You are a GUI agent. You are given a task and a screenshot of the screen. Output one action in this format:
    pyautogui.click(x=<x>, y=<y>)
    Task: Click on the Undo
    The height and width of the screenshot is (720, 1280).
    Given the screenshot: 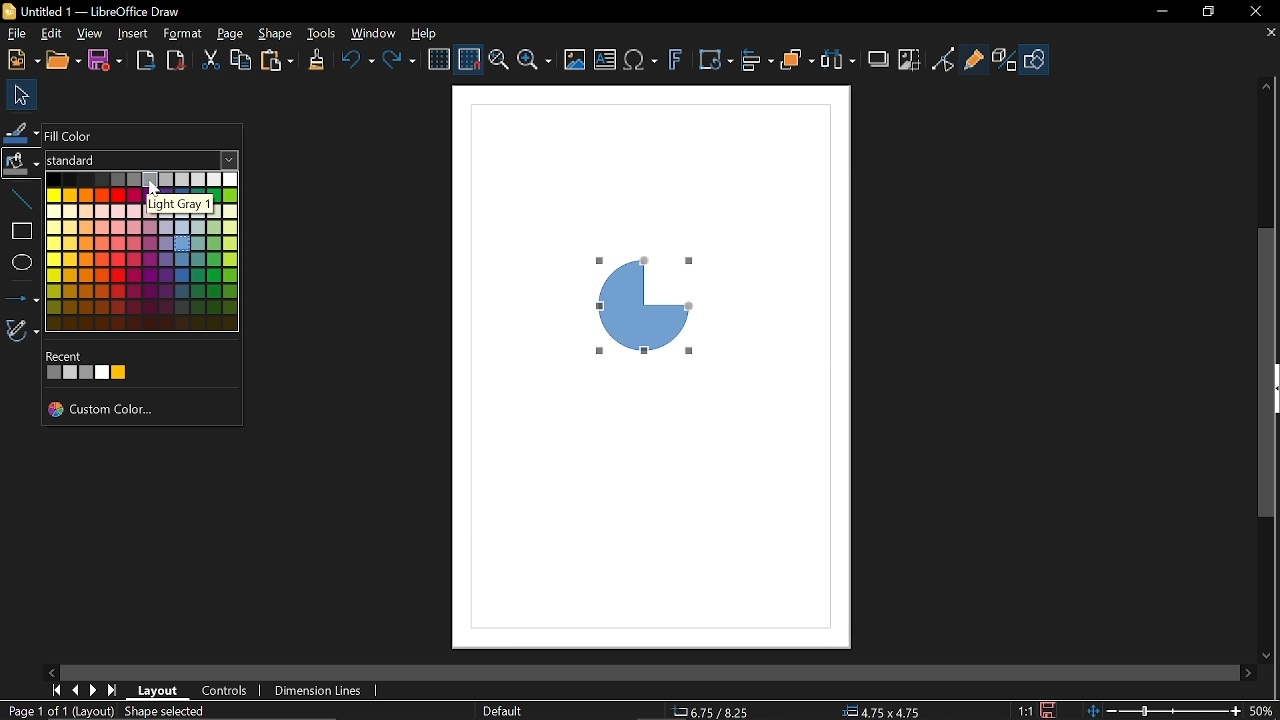 What is the action you would take?
    pyautogui.click(x=356, y=62)
    